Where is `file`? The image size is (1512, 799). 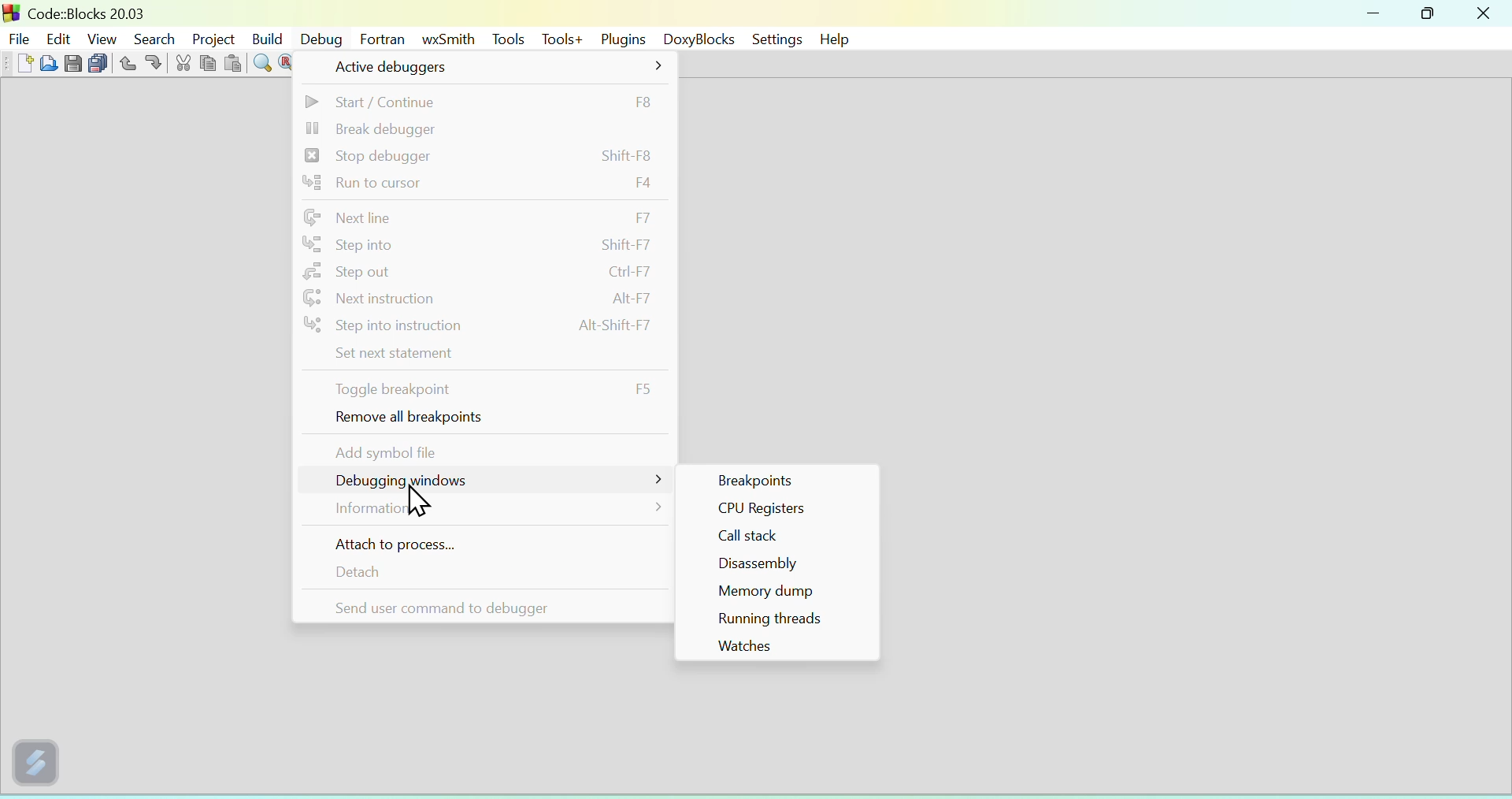
file is located at coordinates (19, 36).